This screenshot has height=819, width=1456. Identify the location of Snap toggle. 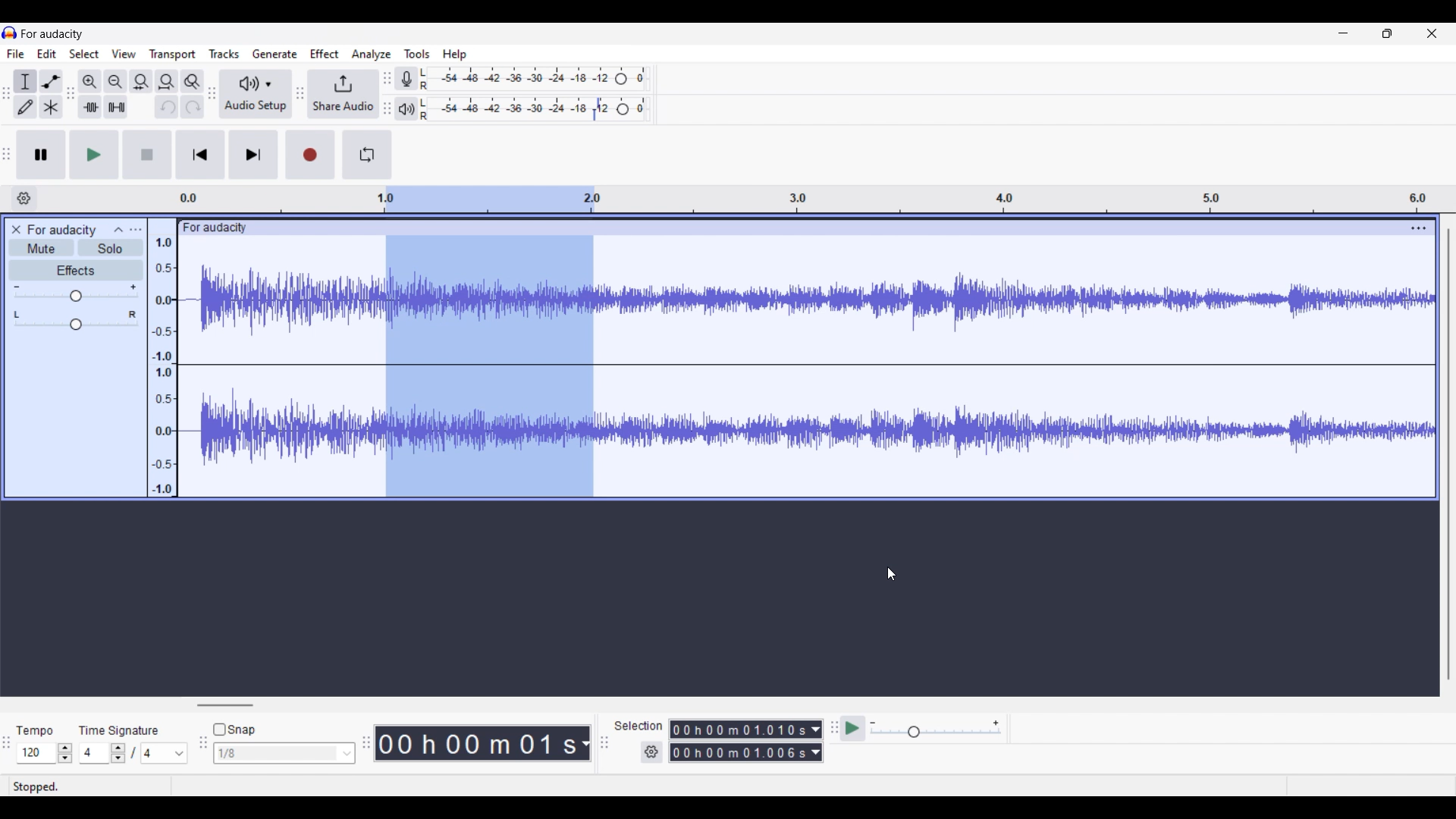
(234, 730).